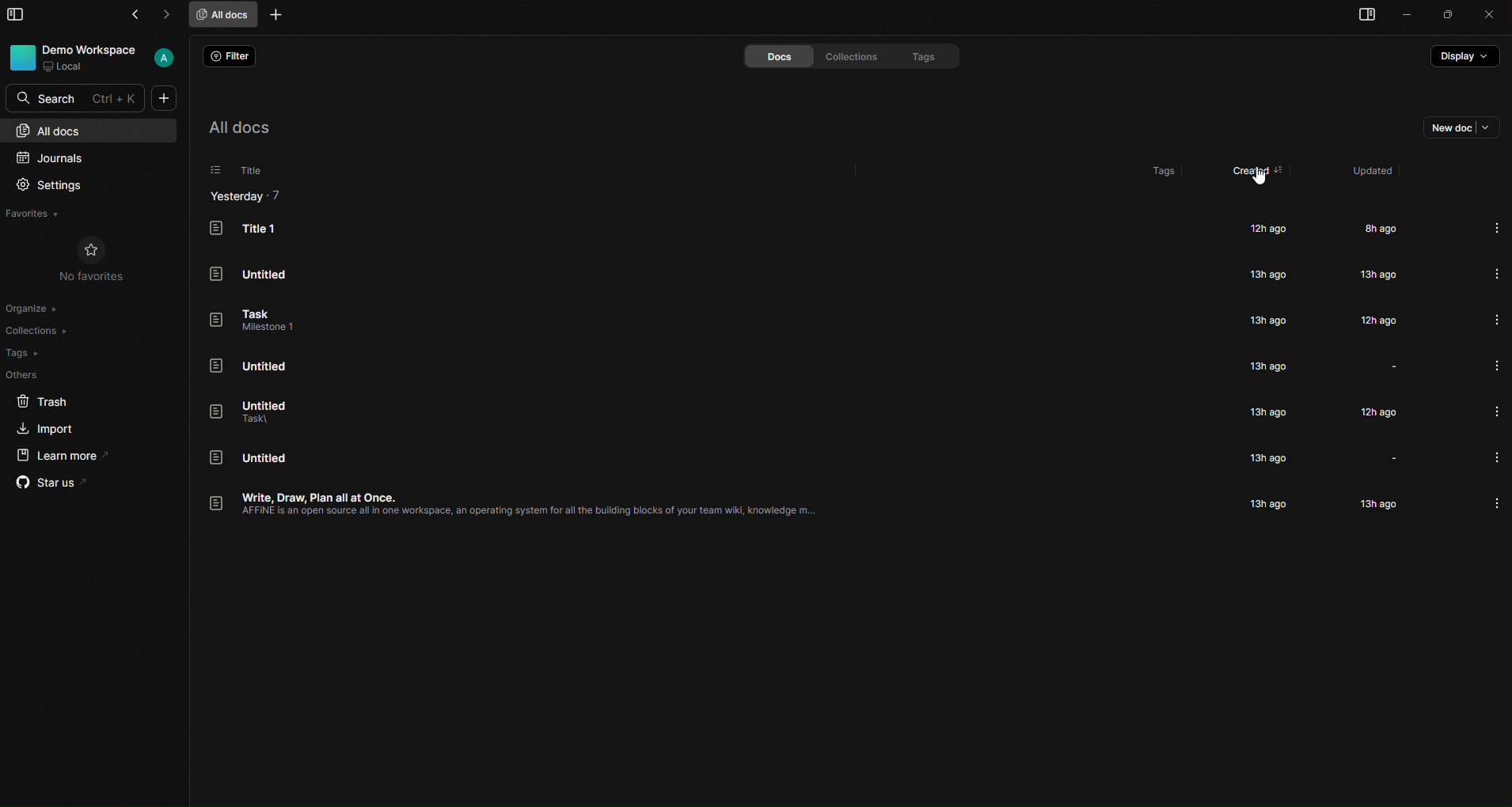  I want to click on collections, so click(853, 57).